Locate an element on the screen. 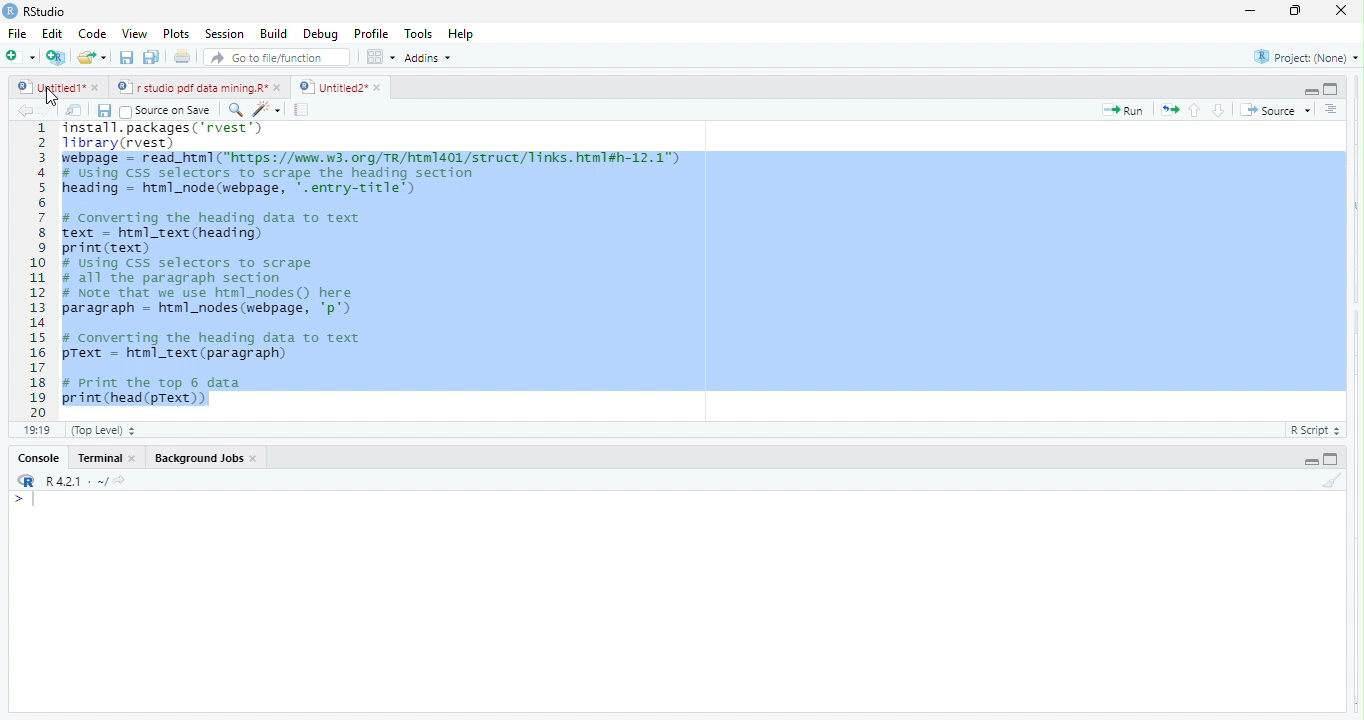 The width and height of the screenshot is (1364, 720). Background Jobs is located at coordinates (196, 456).